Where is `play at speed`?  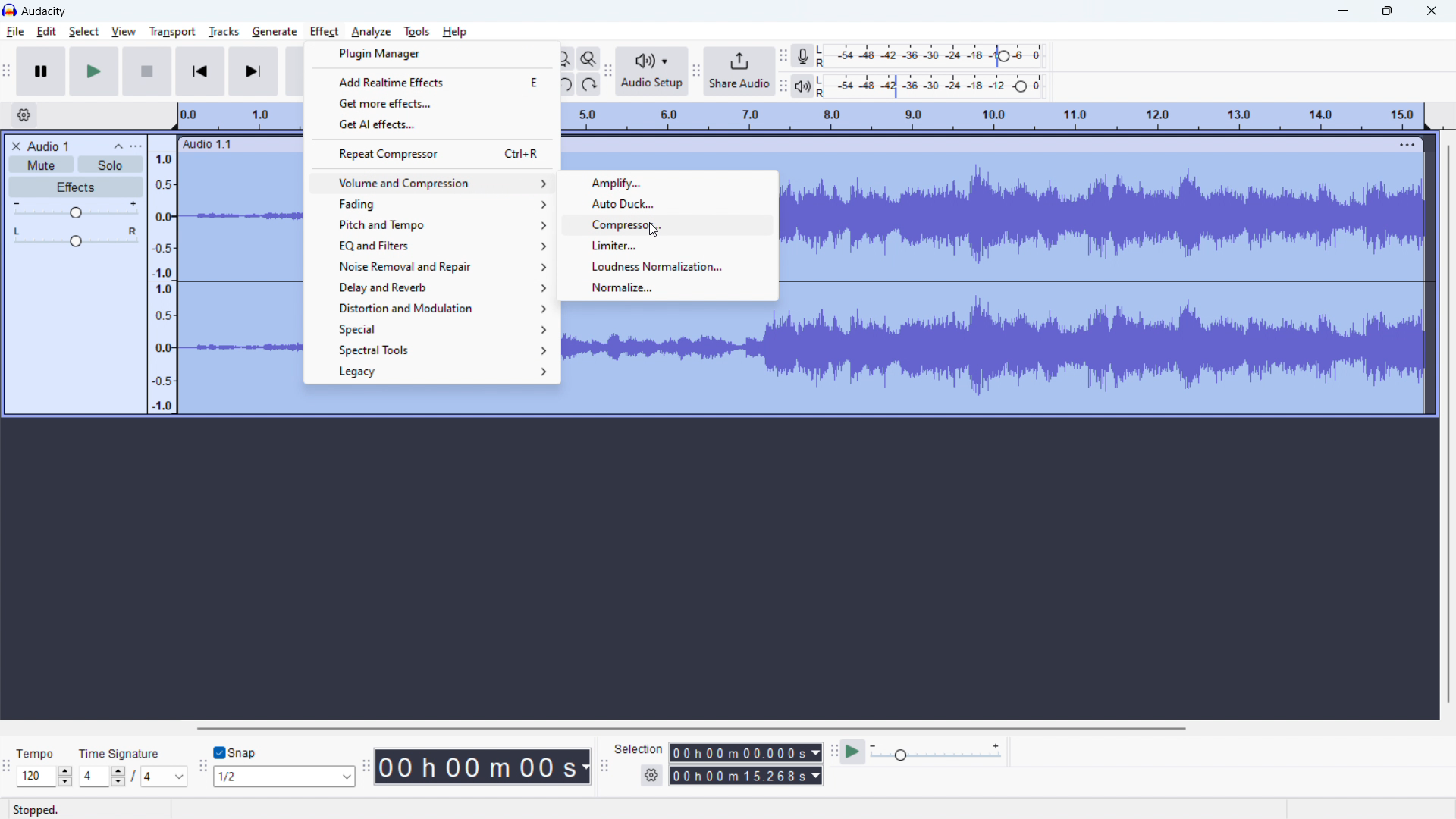 play at speed is located at coordinates (853, 752).